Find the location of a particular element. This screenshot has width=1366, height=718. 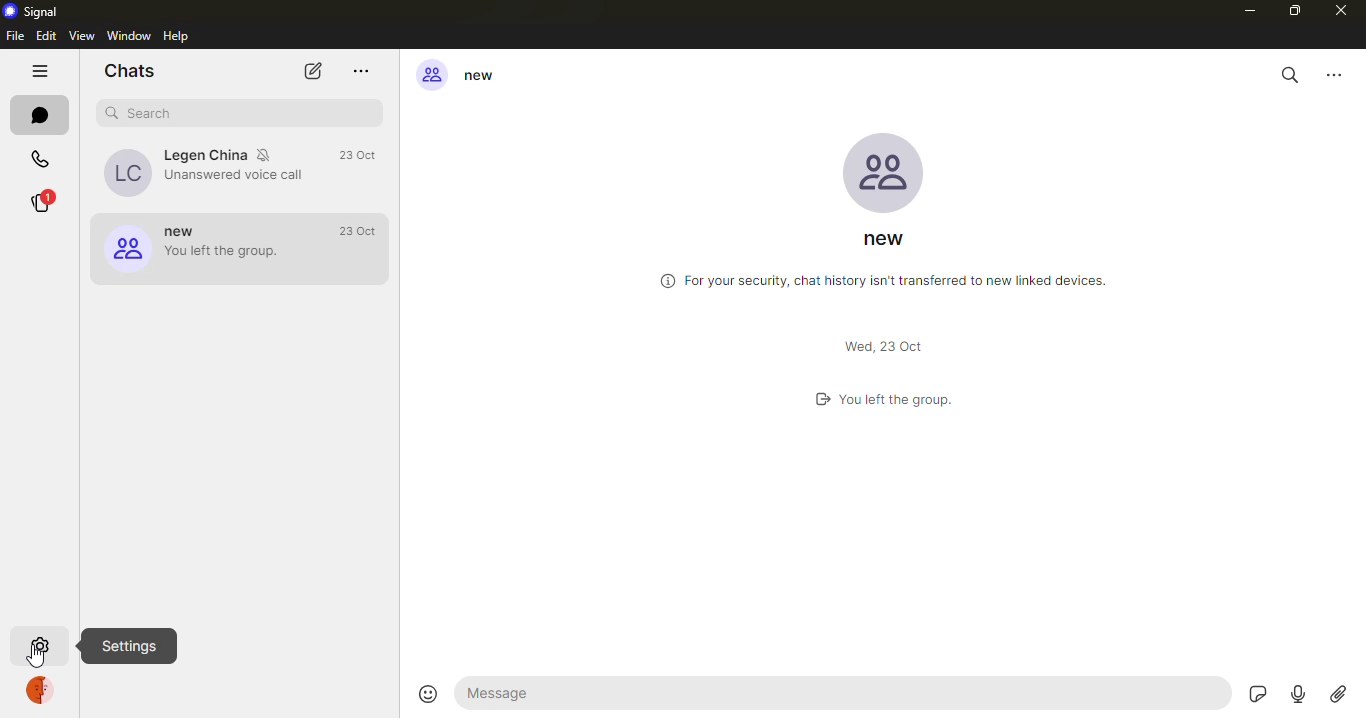

chats is located at coordinates (129, 70).